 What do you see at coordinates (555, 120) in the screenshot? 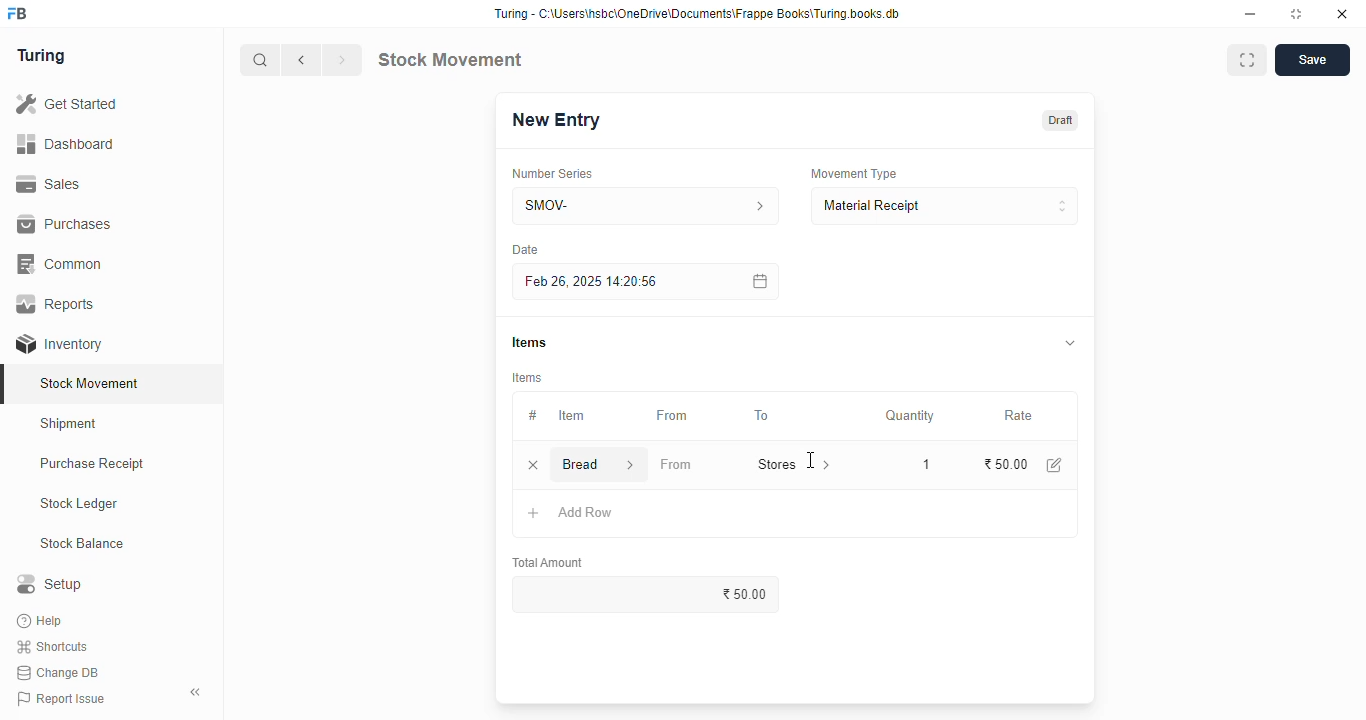
I see `new entry` at bounding box center [555, 120].